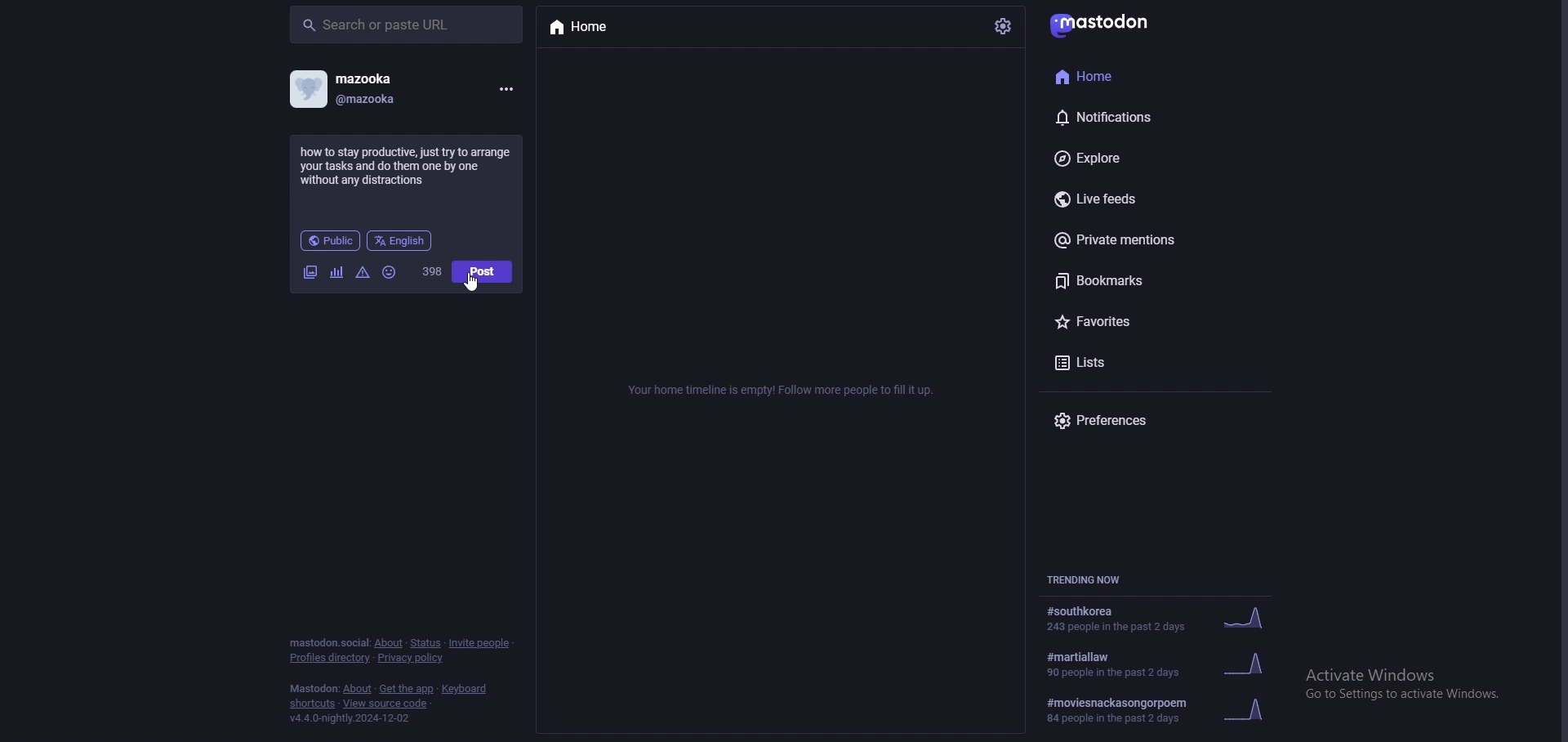 The height and width of the screenshot is (742, 1568). Describe the element at coordinates (327, 642) in the screenshot. I see `mastodon social` at that location.